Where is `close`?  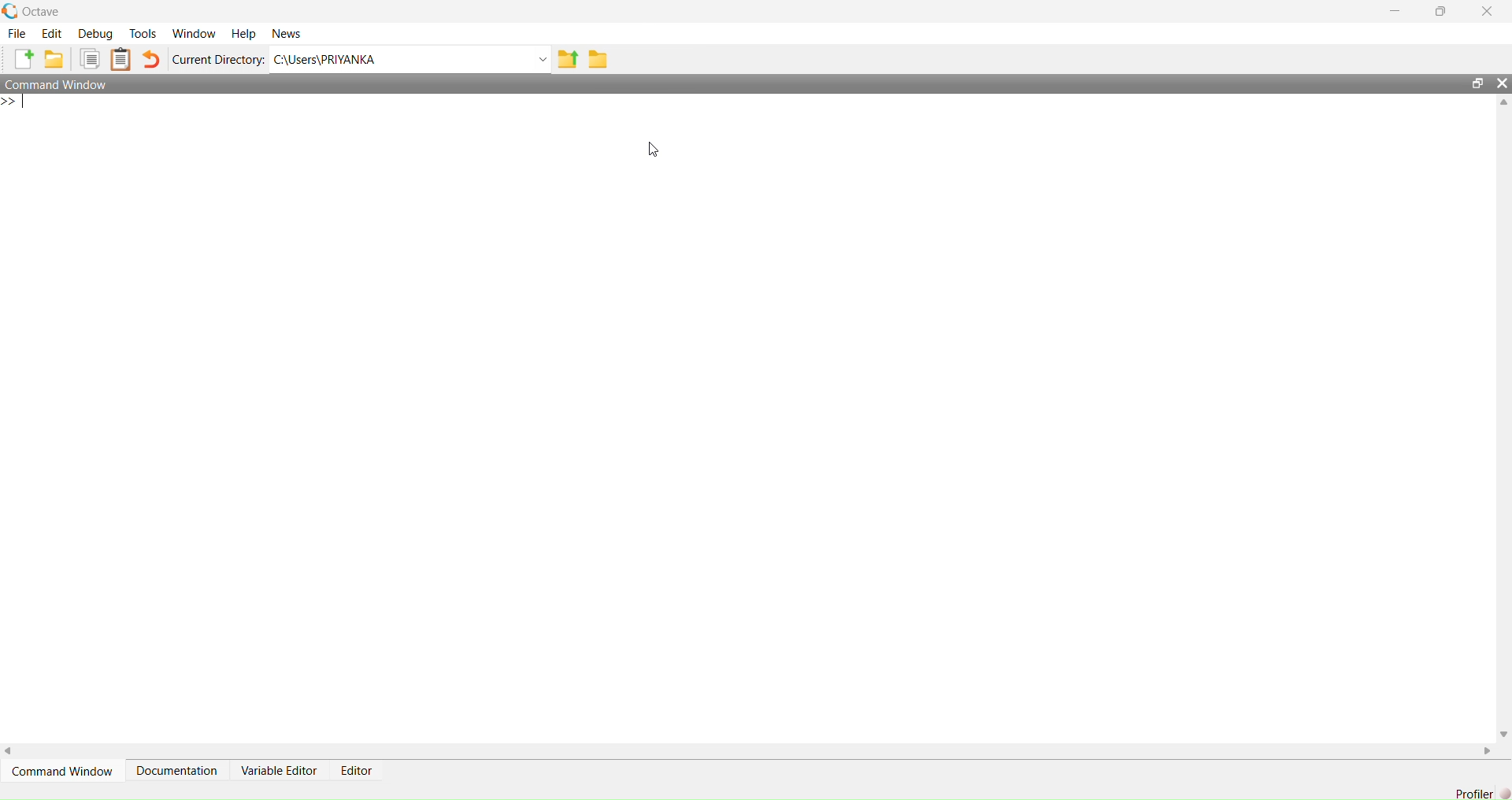
close is located at coordinates (1503, 83).